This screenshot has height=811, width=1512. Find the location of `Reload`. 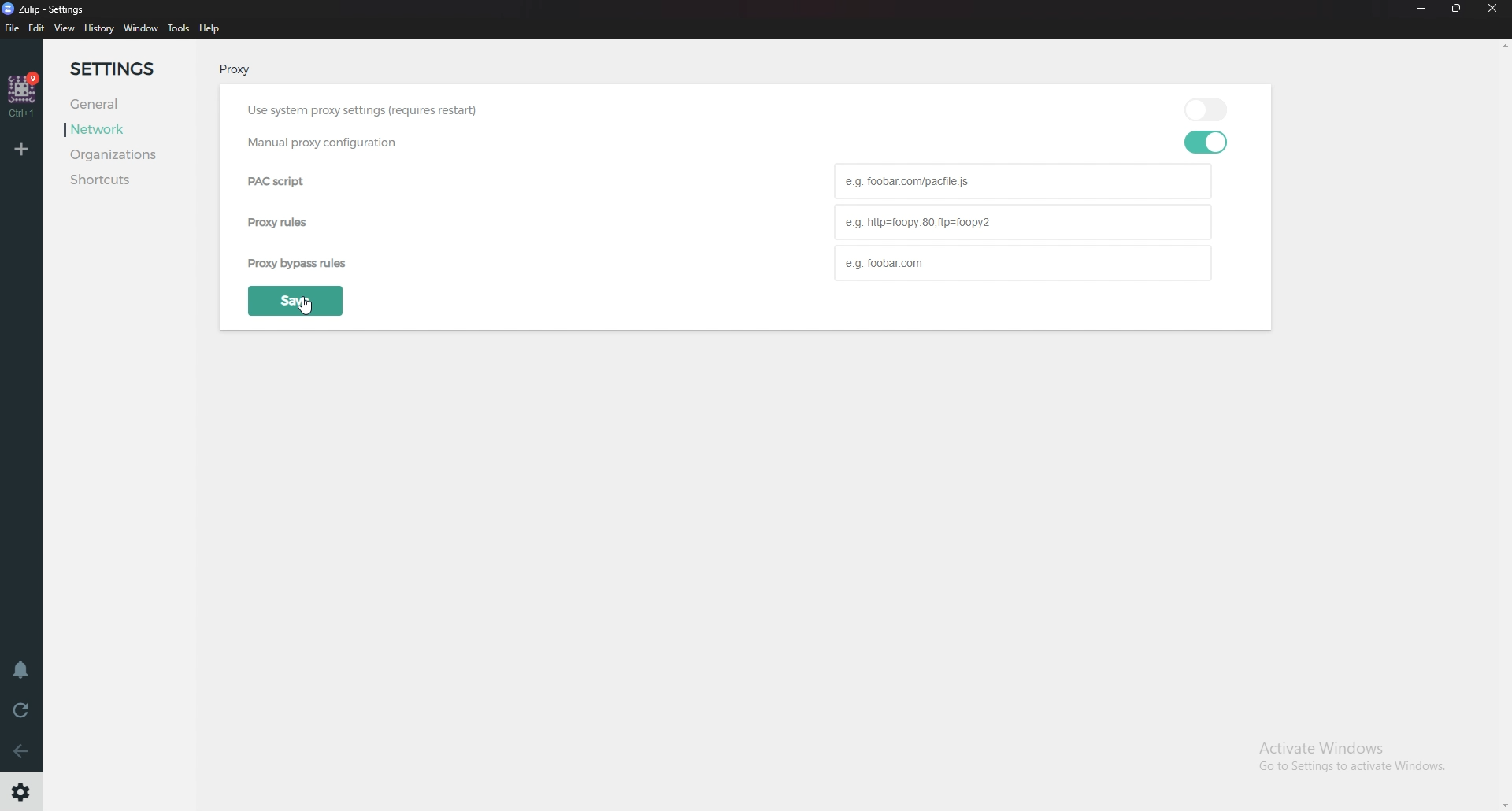

Reload is located at coordinates (20, 709).